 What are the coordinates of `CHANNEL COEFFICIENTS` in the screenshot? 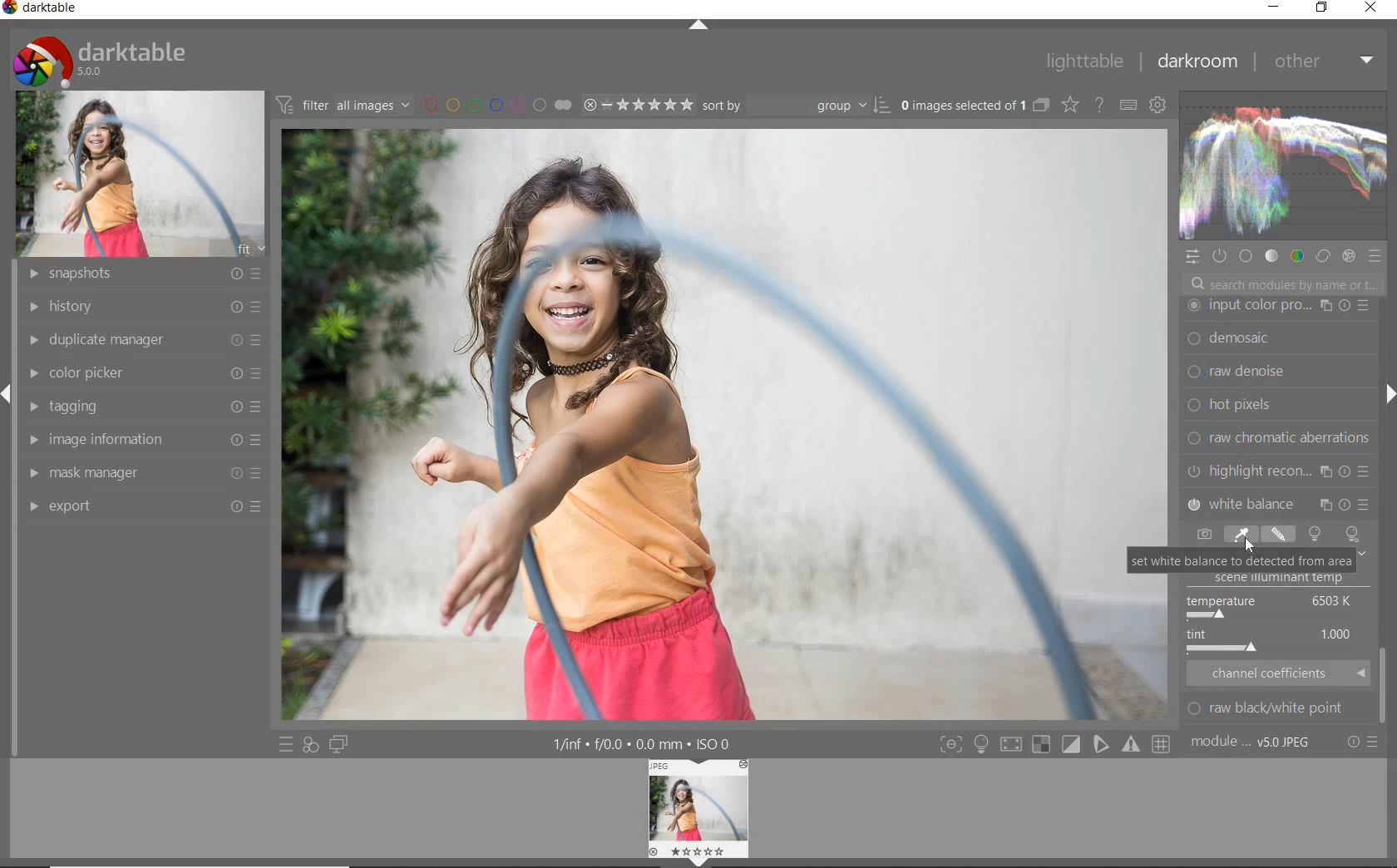 It's located at (1279, 673).